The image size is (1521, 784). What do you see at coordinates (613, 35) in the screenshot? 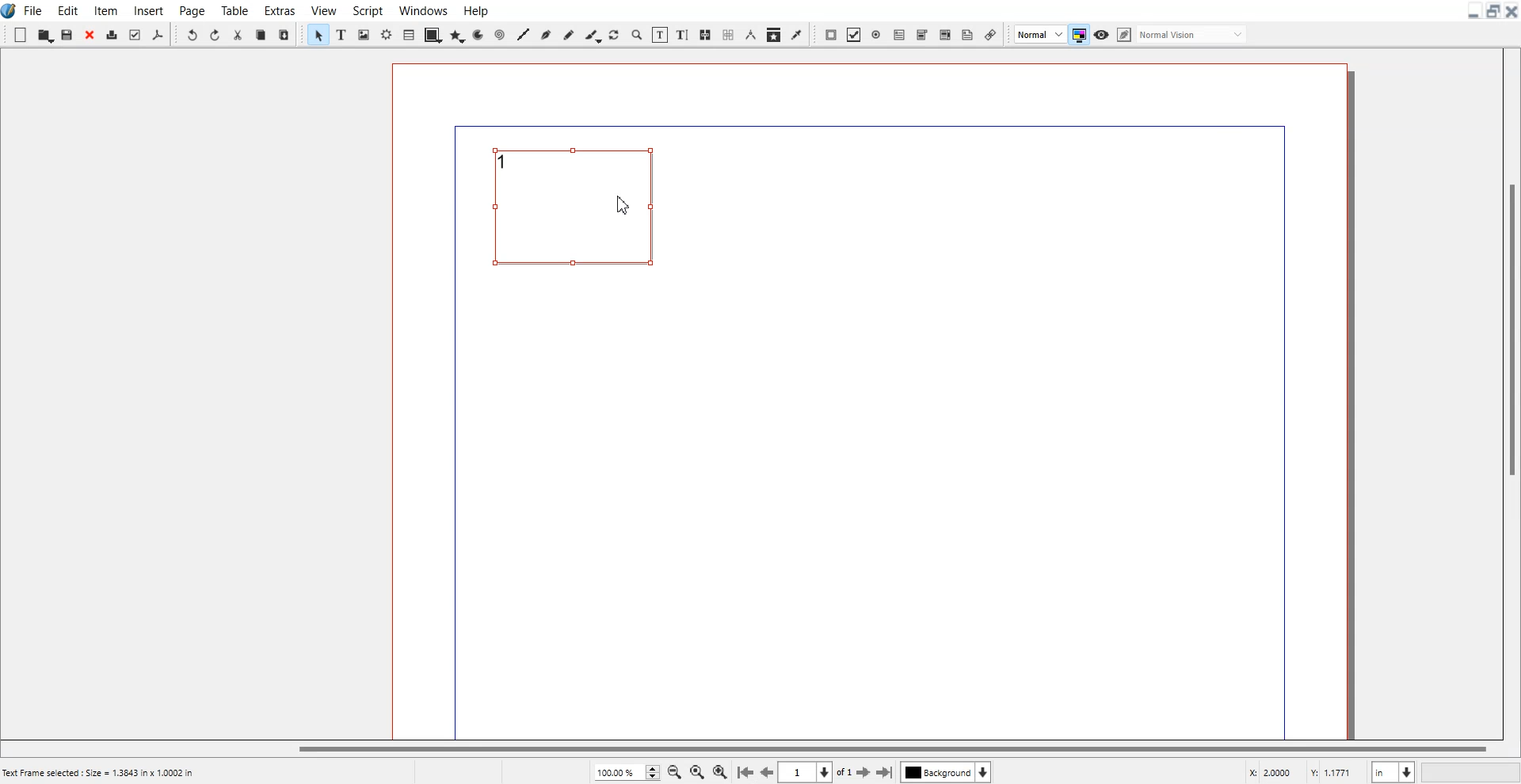
I see `Rotate Item` at bounding box center [613, 35].